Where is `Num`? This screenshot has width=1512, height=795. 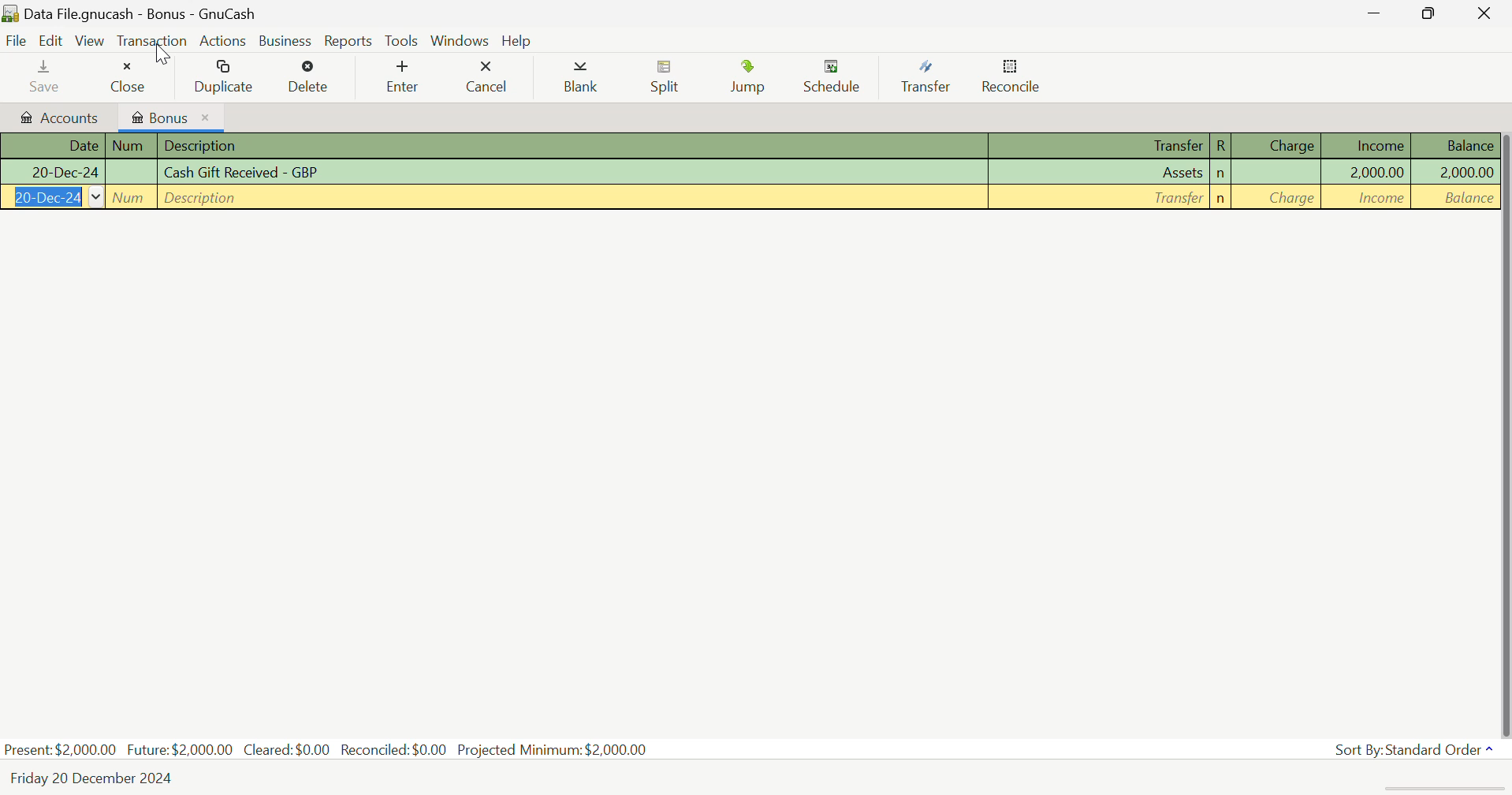
Num is located at coordinates (132, 172).